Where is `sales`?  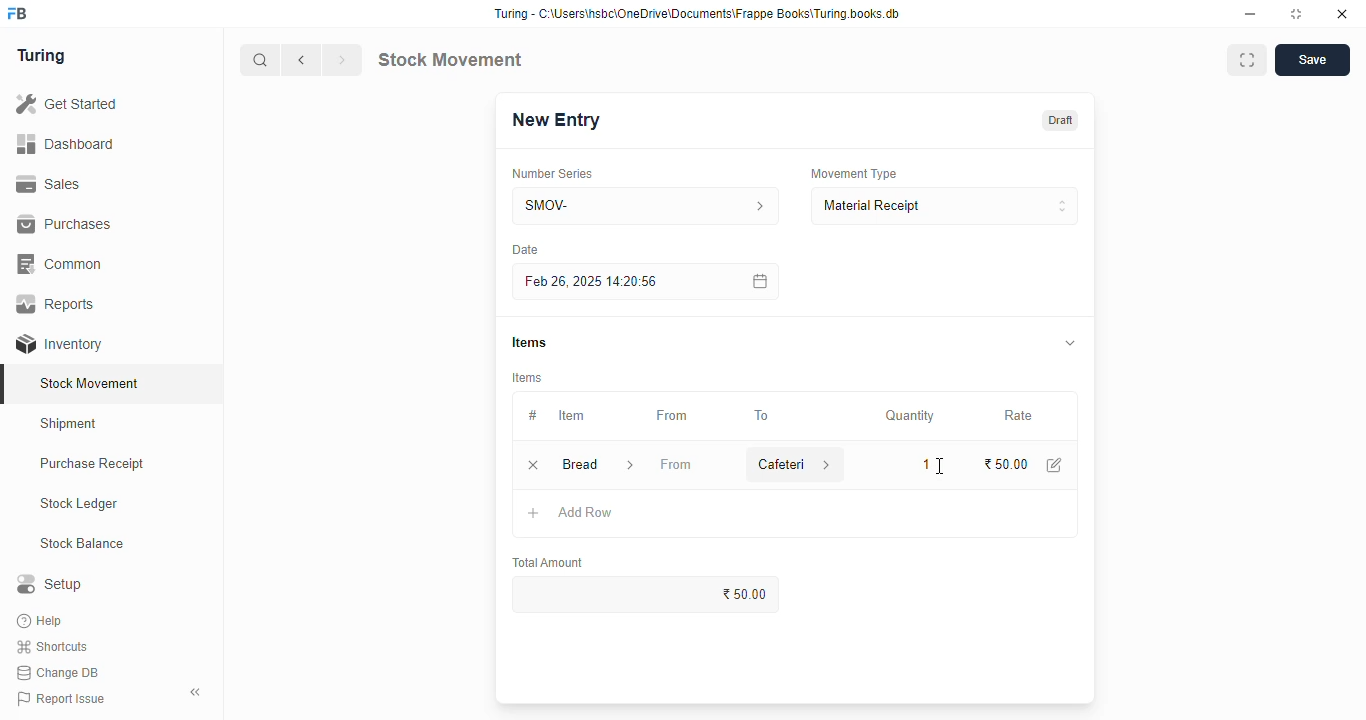
sales is located at coordinates (48, 184).